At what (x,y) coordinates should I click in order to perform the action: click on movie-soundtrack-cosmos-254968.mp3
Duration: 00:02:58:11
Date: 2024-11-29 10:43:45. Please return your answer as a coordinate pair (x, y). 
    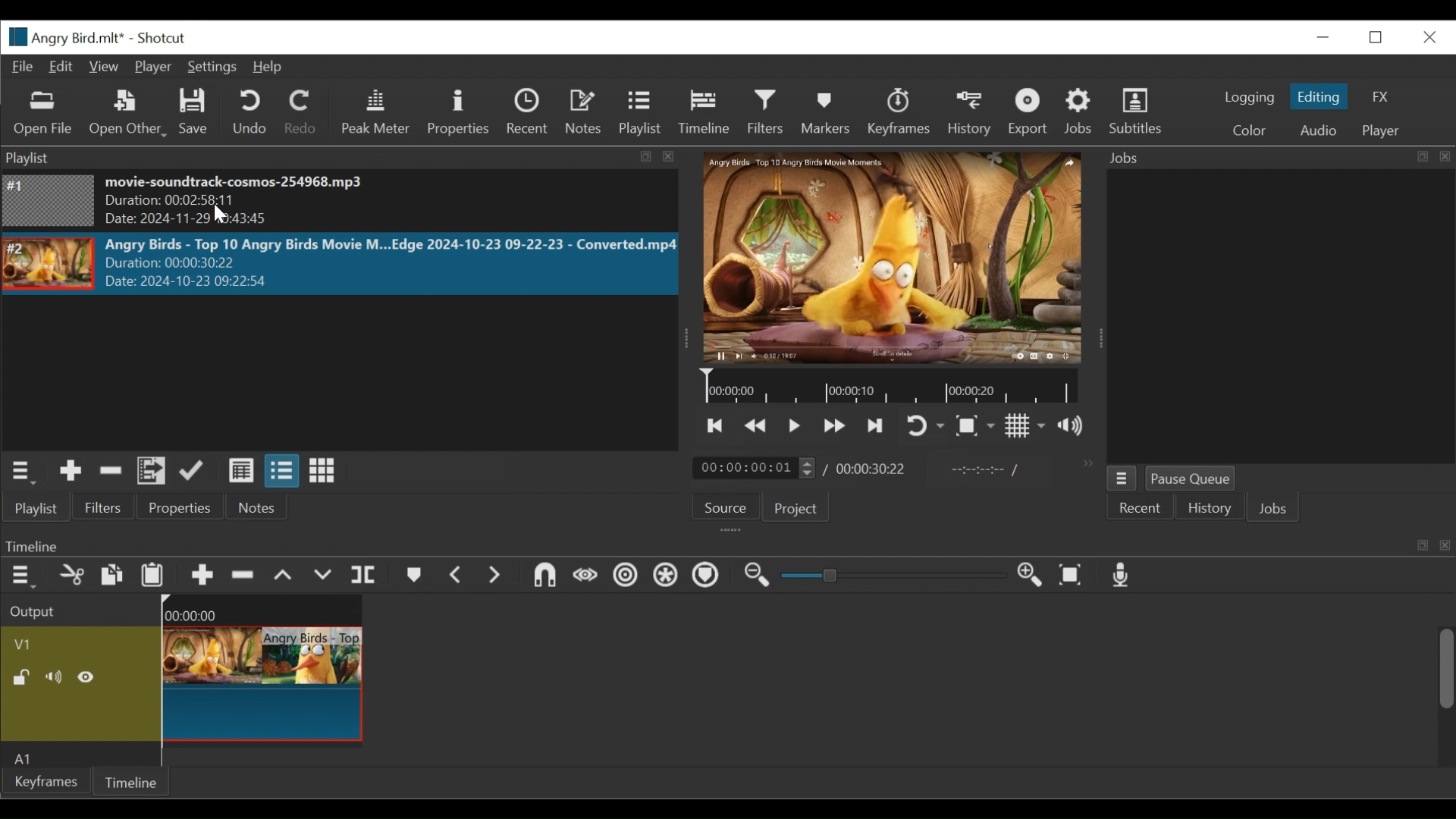
    Looking at the image, I should click on (268, 202).